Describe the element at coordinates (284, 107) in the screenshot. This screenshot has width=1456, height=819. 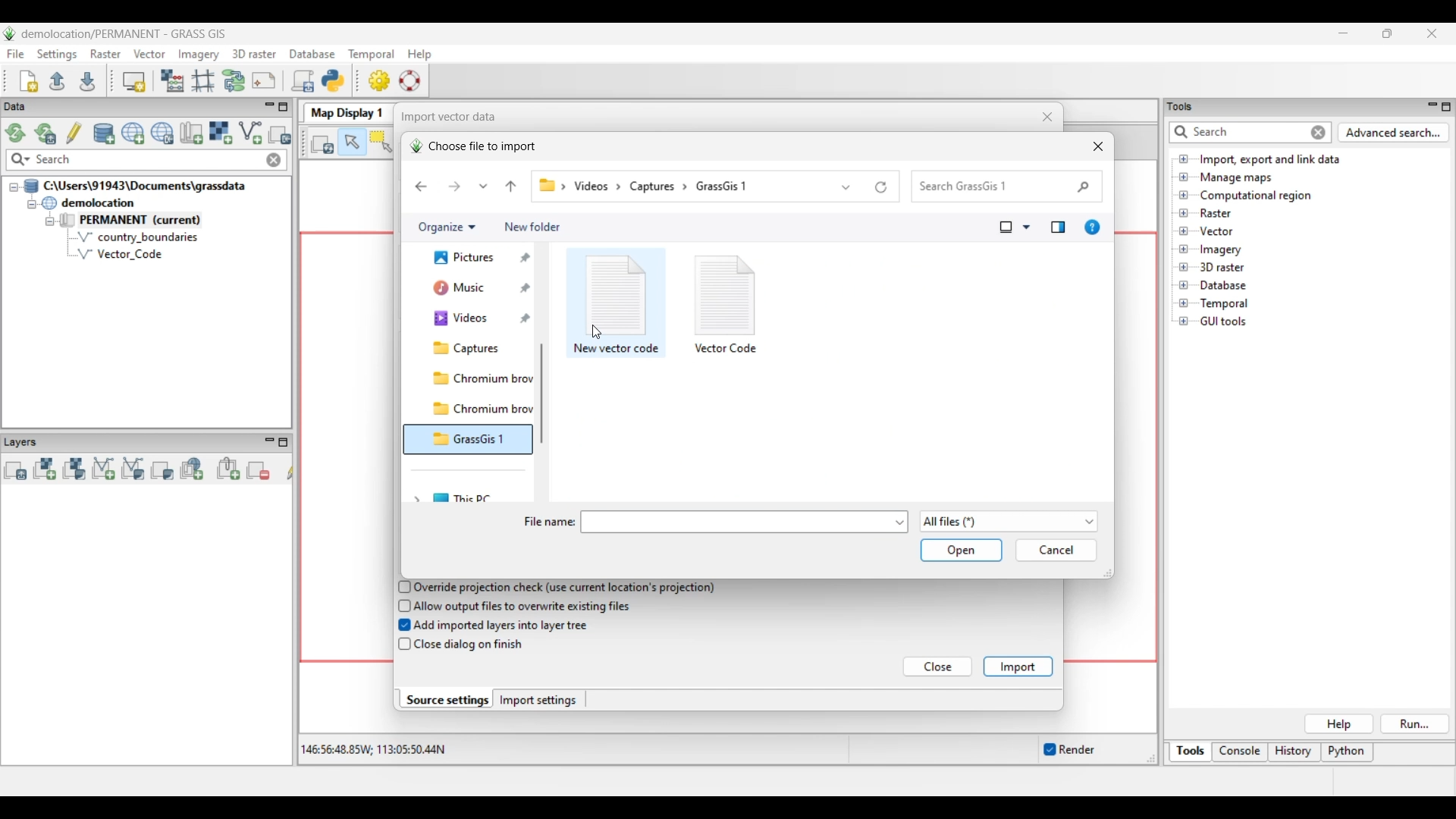
I see `Maximize Data panel` at that location.